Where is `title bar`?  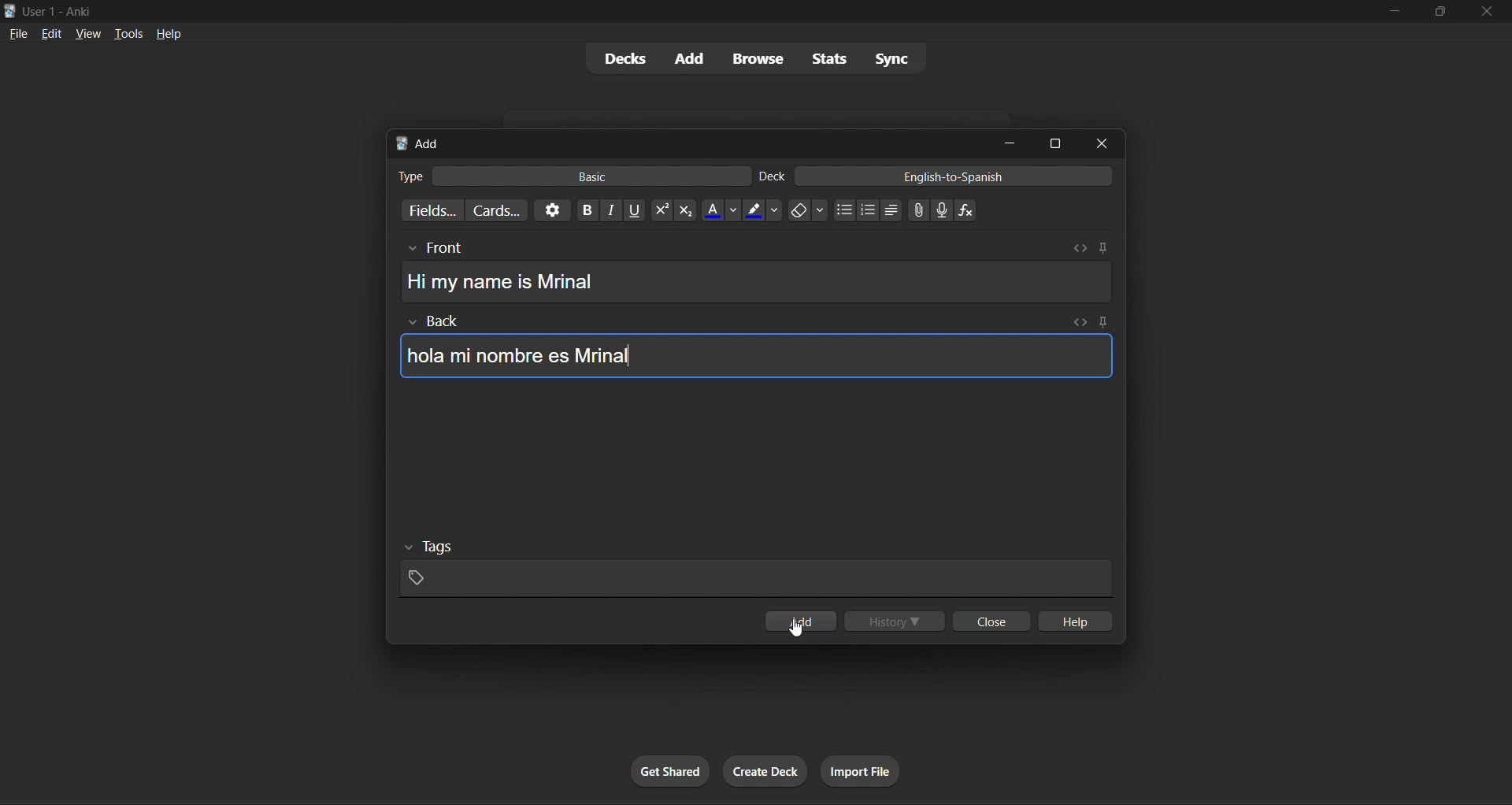
title bar is located at coordinates (663, 9).